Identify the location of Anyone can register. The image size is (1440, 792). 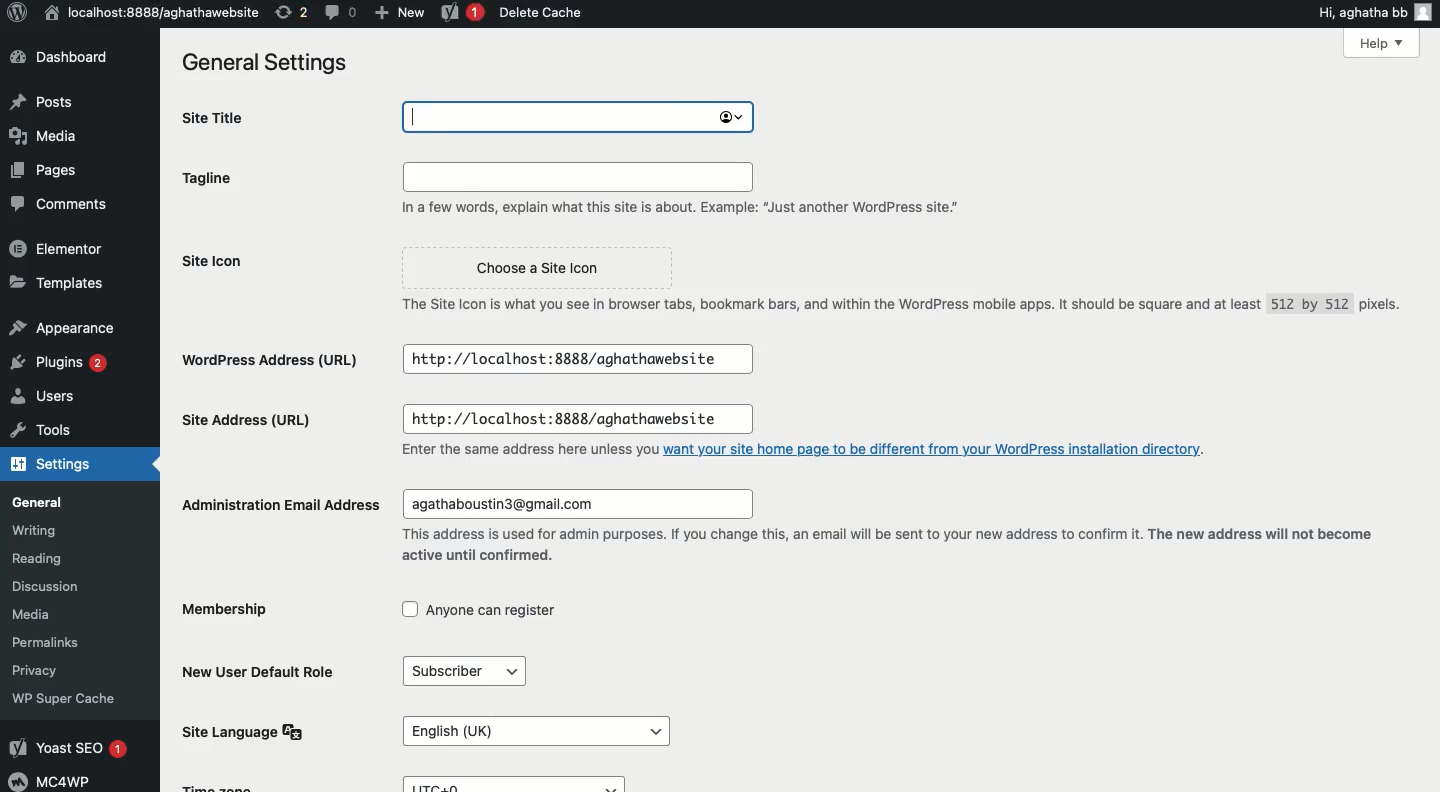
(483, 610).